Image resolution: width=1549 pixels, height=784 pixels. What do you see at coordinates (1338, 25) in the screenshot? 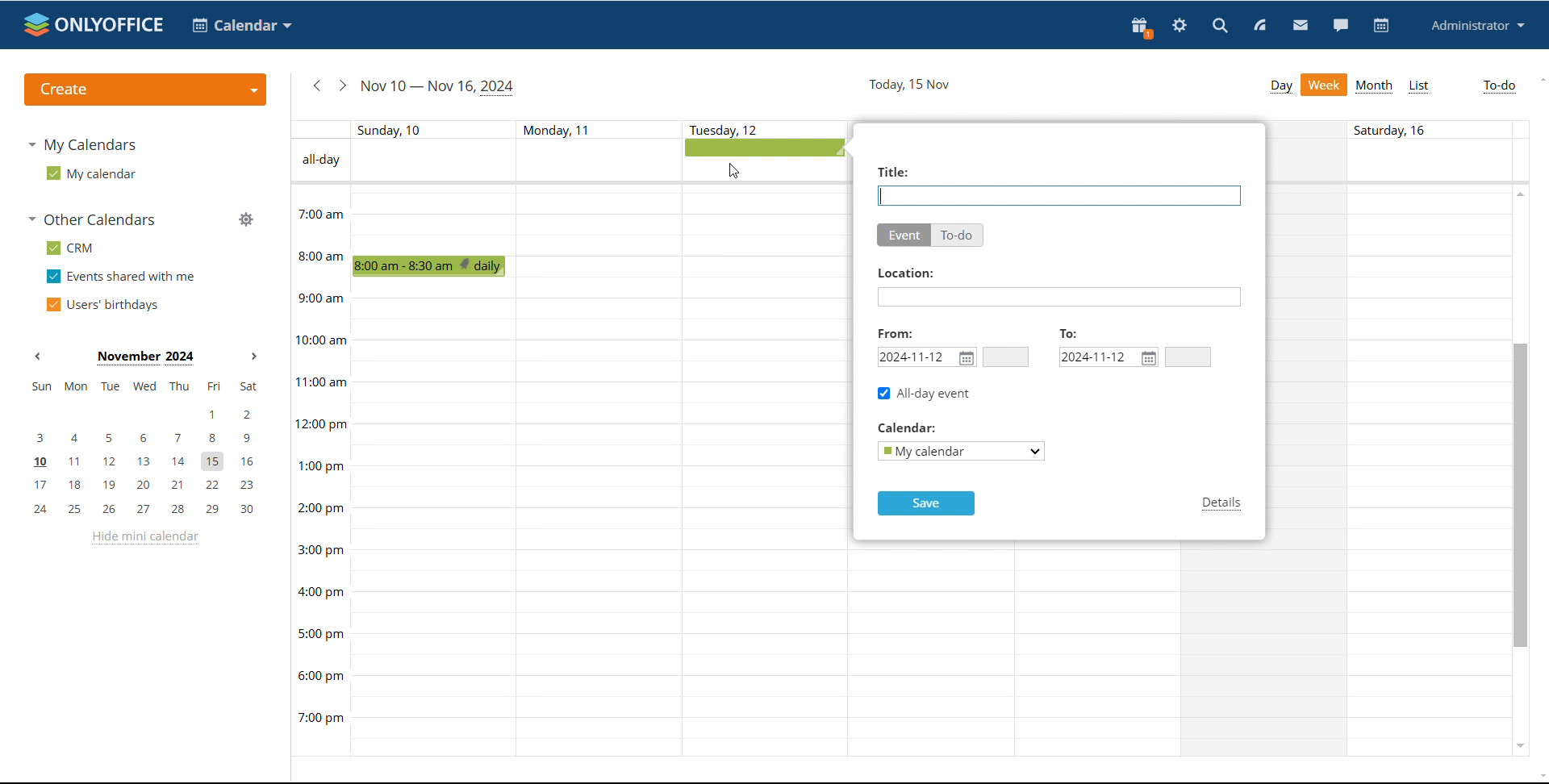
I see `chat` at bounding box center [1338, 25].